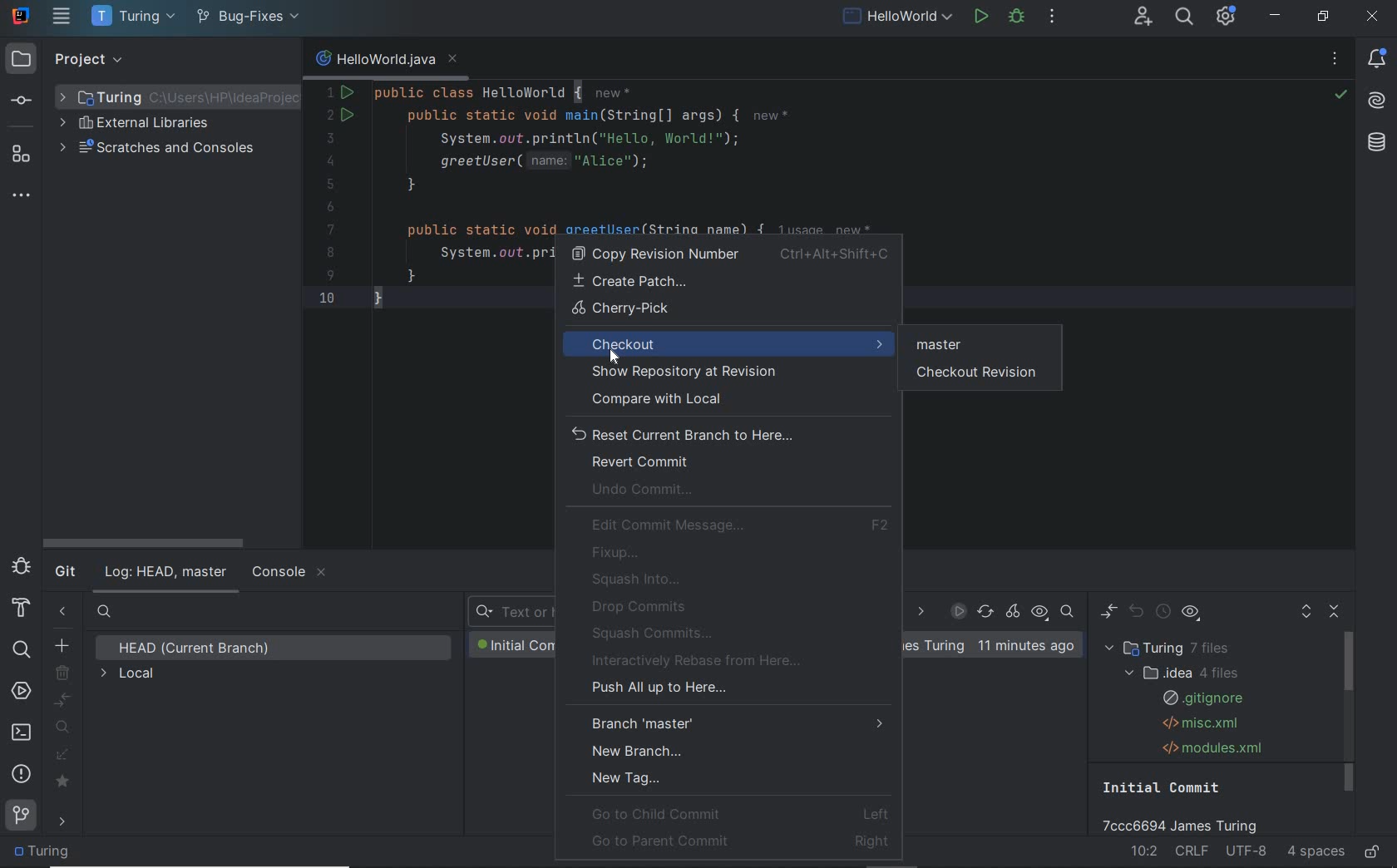 This screenshot has height=868, width=1397. I want to click on run, so click(982, 15).